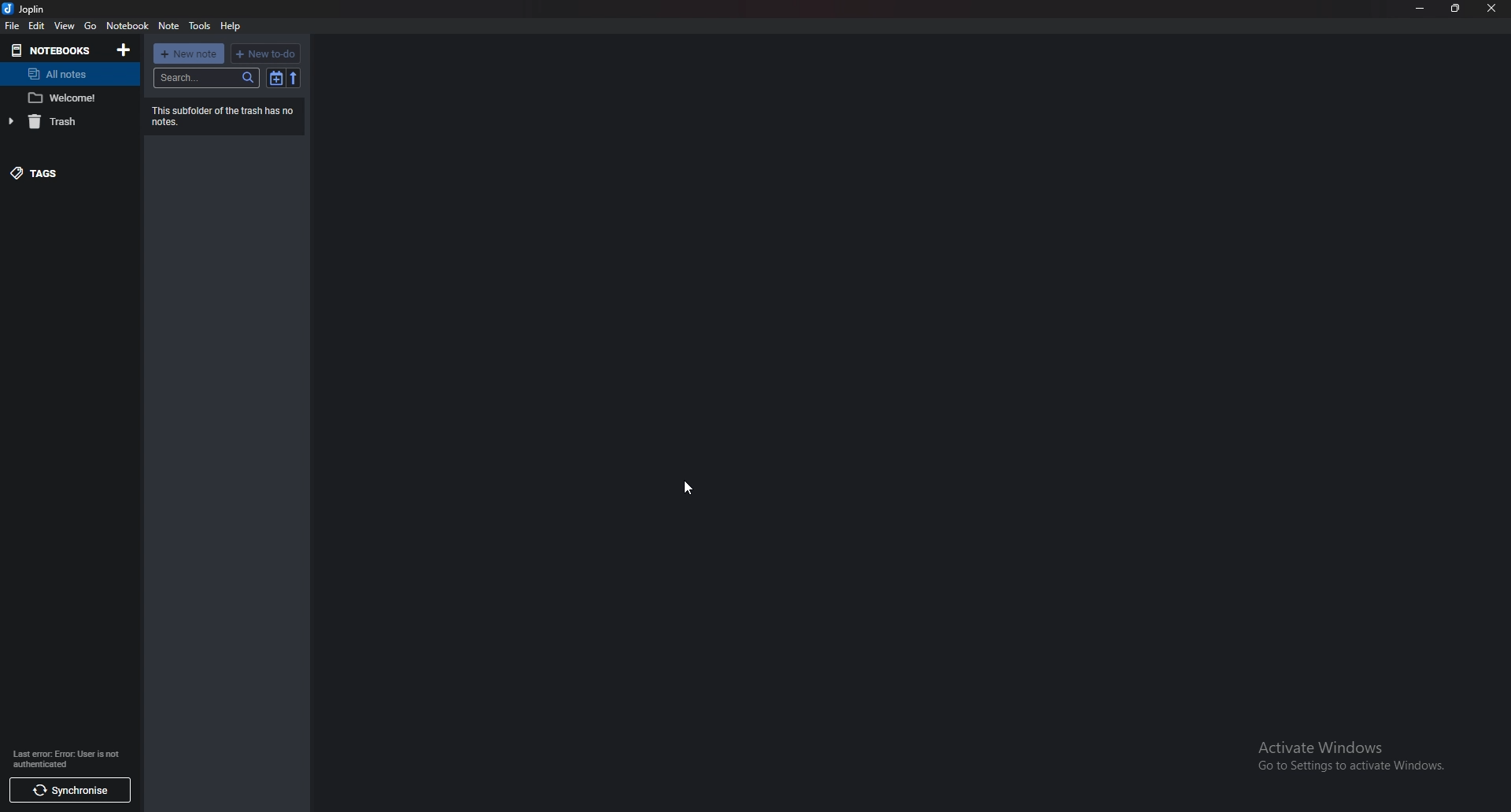  What do you see at coordinates (12, 26) in the screenshot?
I see `file` at bounding box center [12, 26].